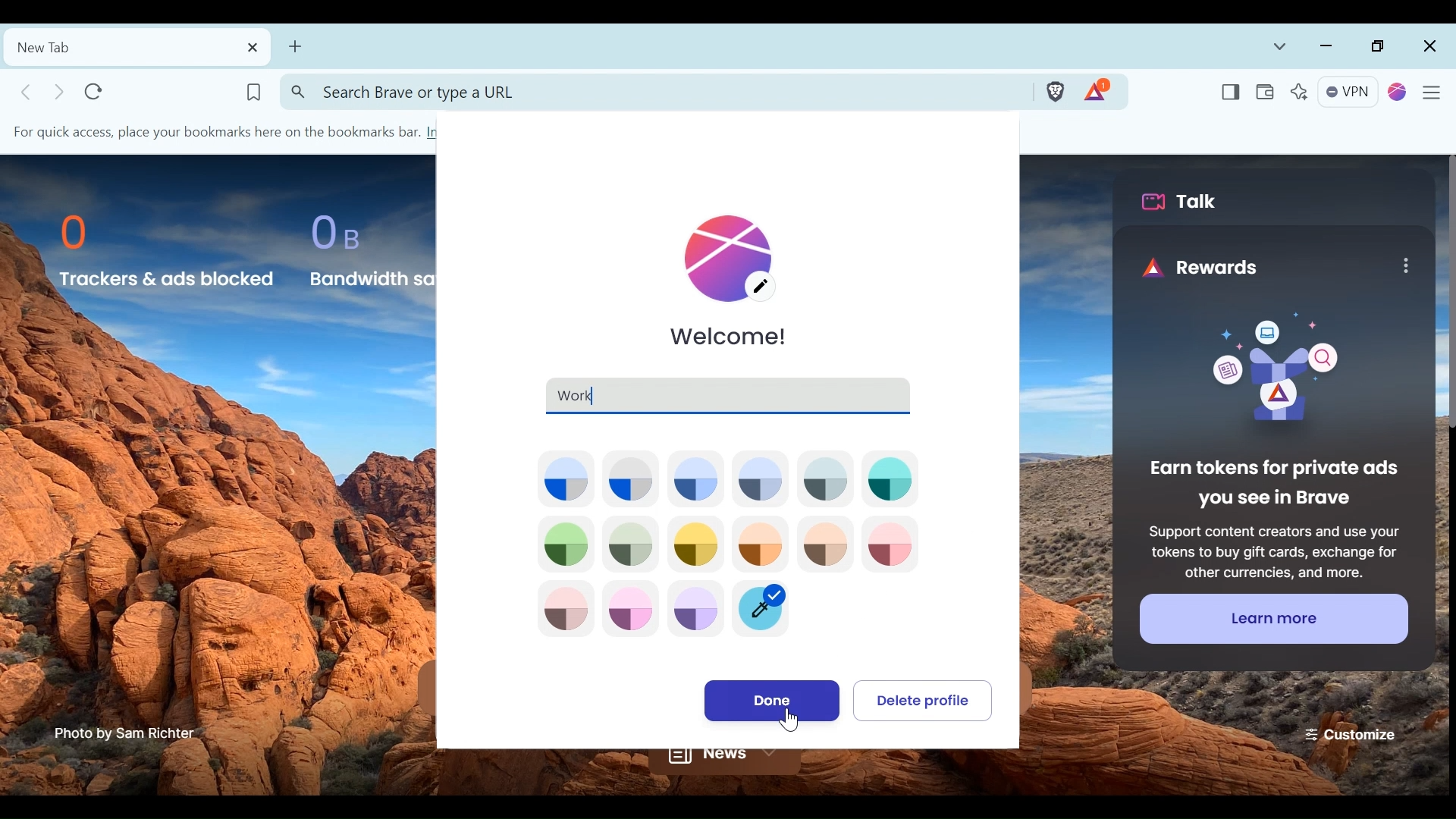  Describe the element at coordinates (891, 544) in the screenshot. I see `Theme` at that location.